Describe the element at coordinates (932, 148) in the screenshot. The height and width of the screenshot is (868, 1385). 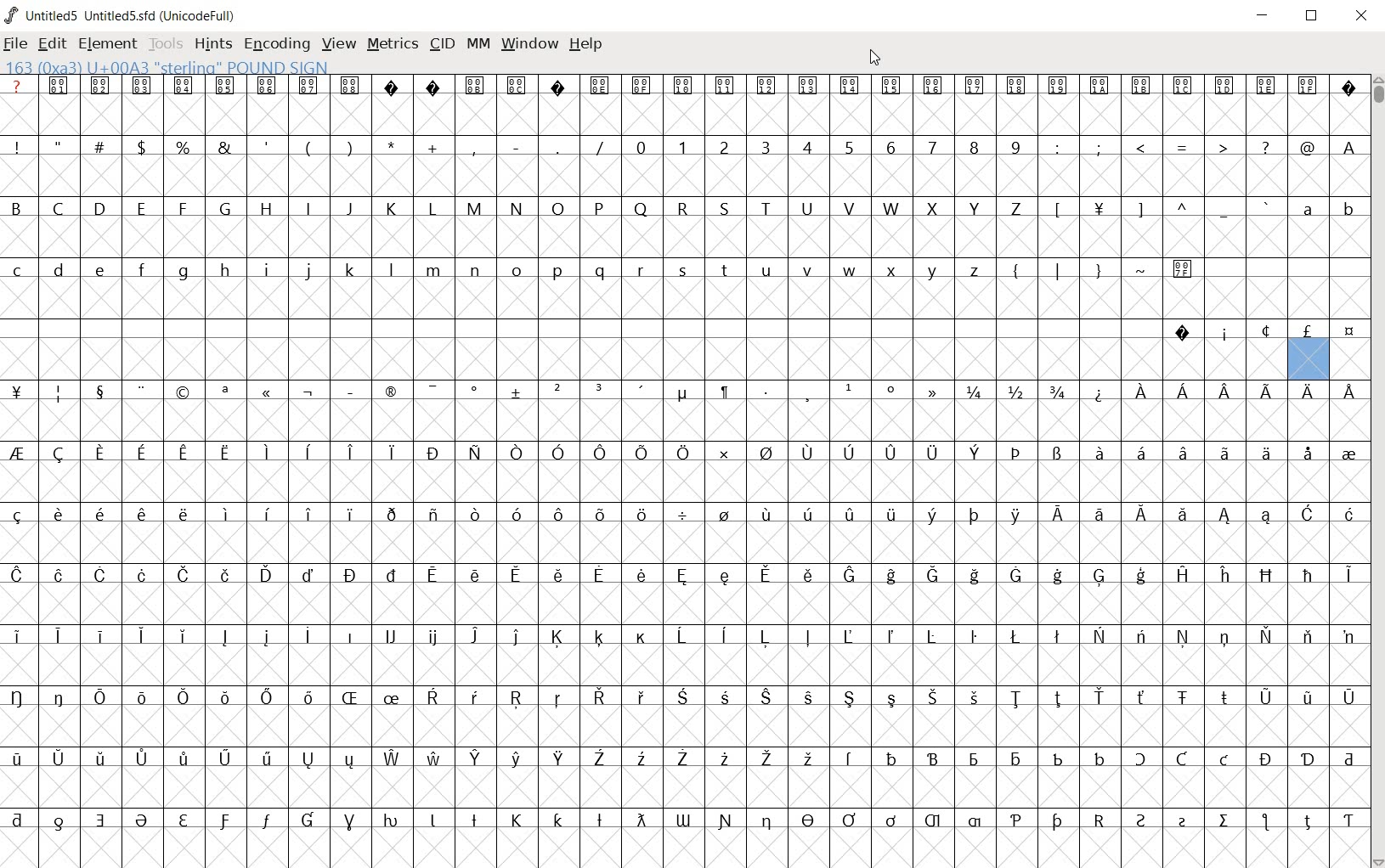
I see `7` at that location.